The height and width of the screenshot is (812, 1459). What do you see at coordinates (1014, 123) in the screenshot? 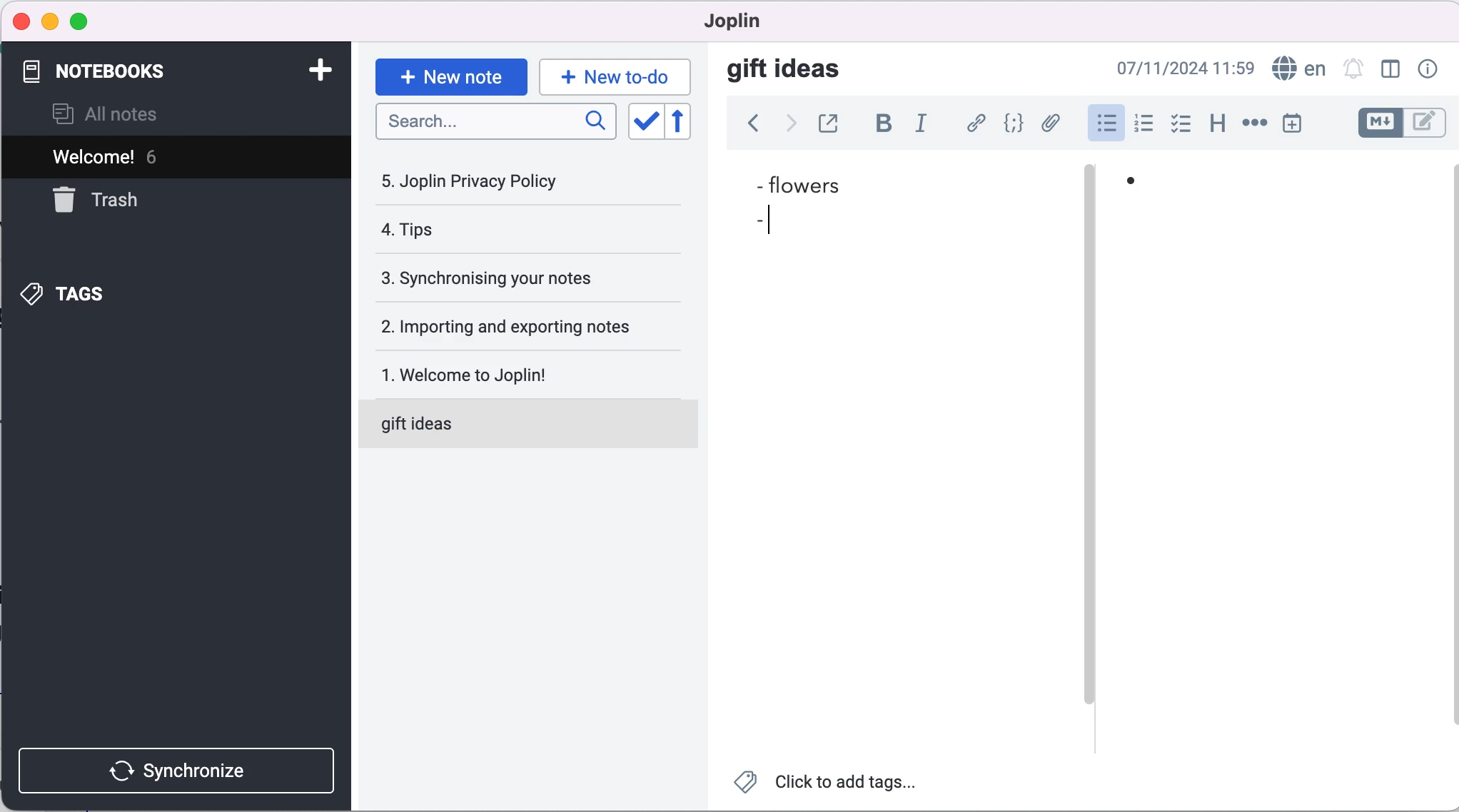
I see `code` at bounding box center [1014, 123].